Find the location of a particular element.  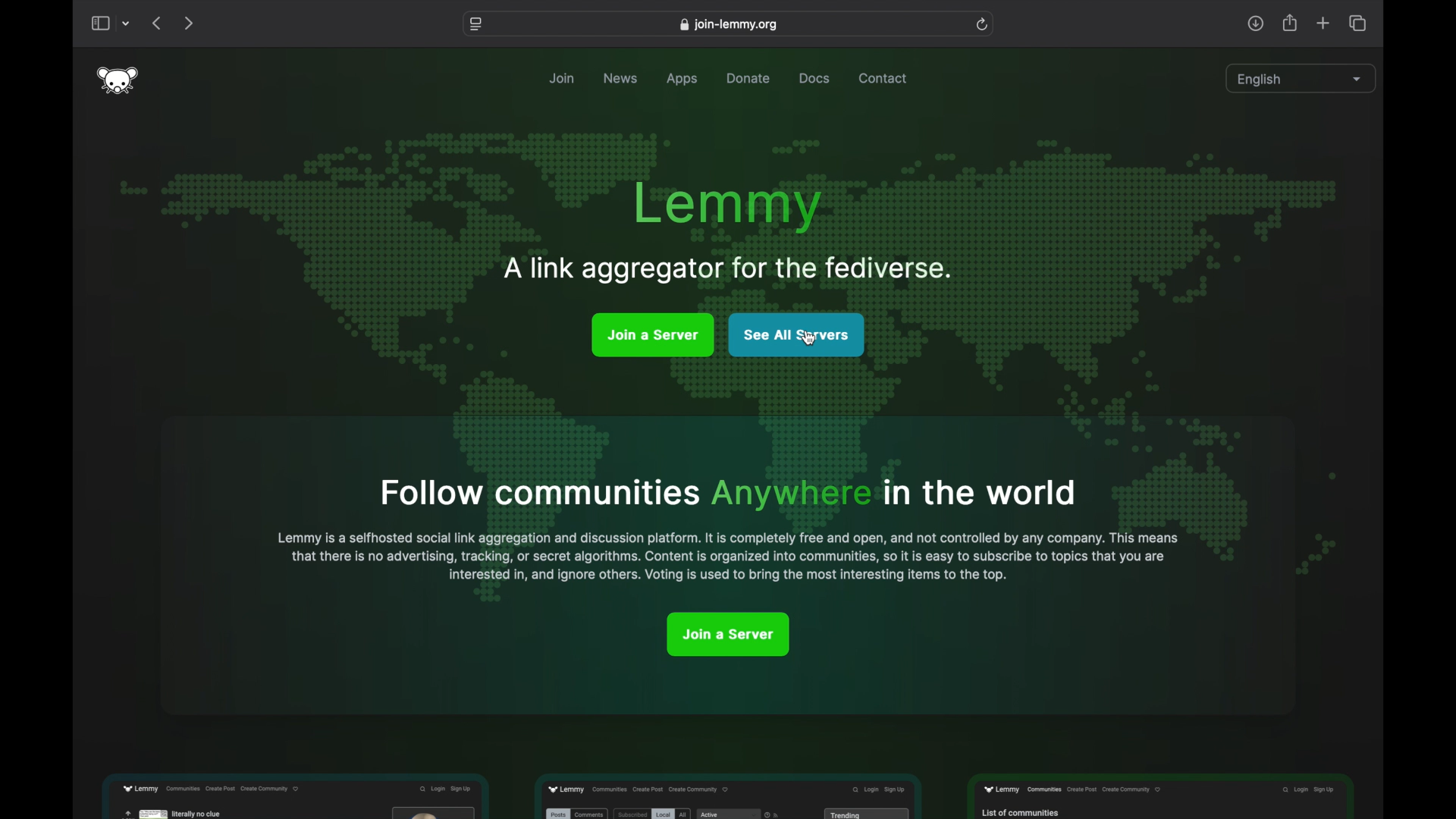

join a server is located at coordinates (654, 335).